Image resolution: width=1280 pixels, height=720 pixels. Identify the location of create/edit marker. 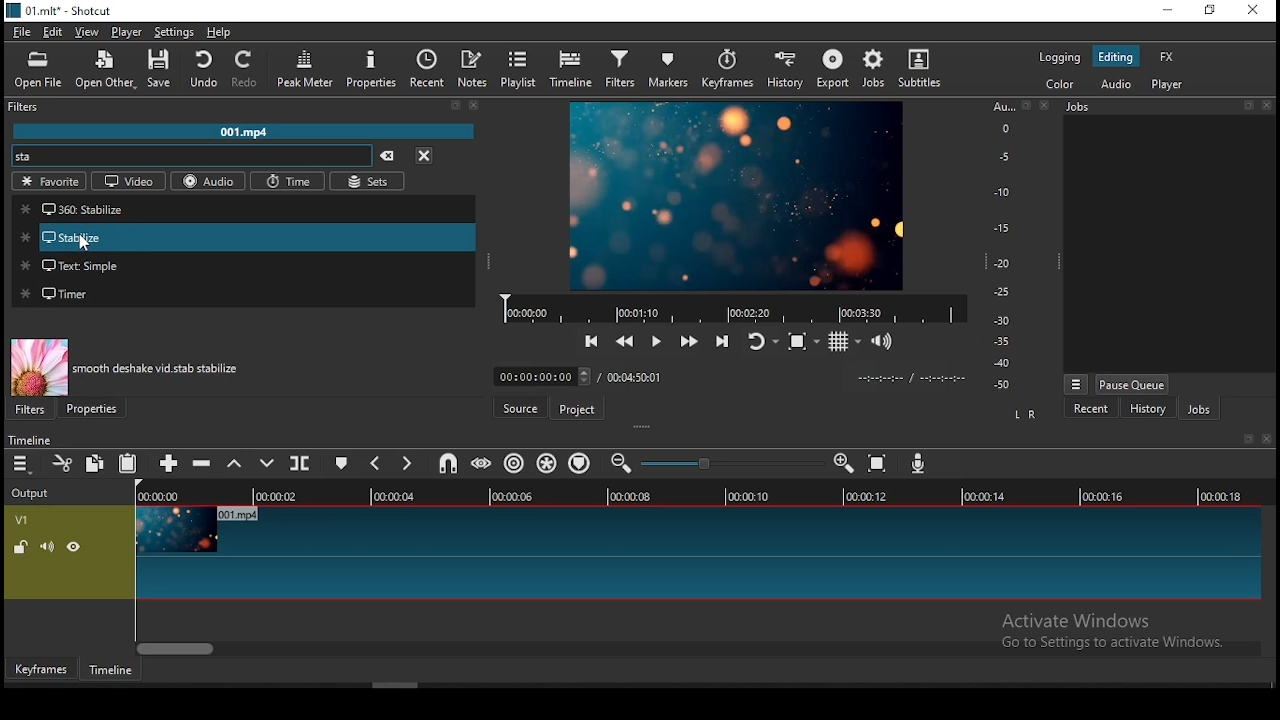
(342, 464).